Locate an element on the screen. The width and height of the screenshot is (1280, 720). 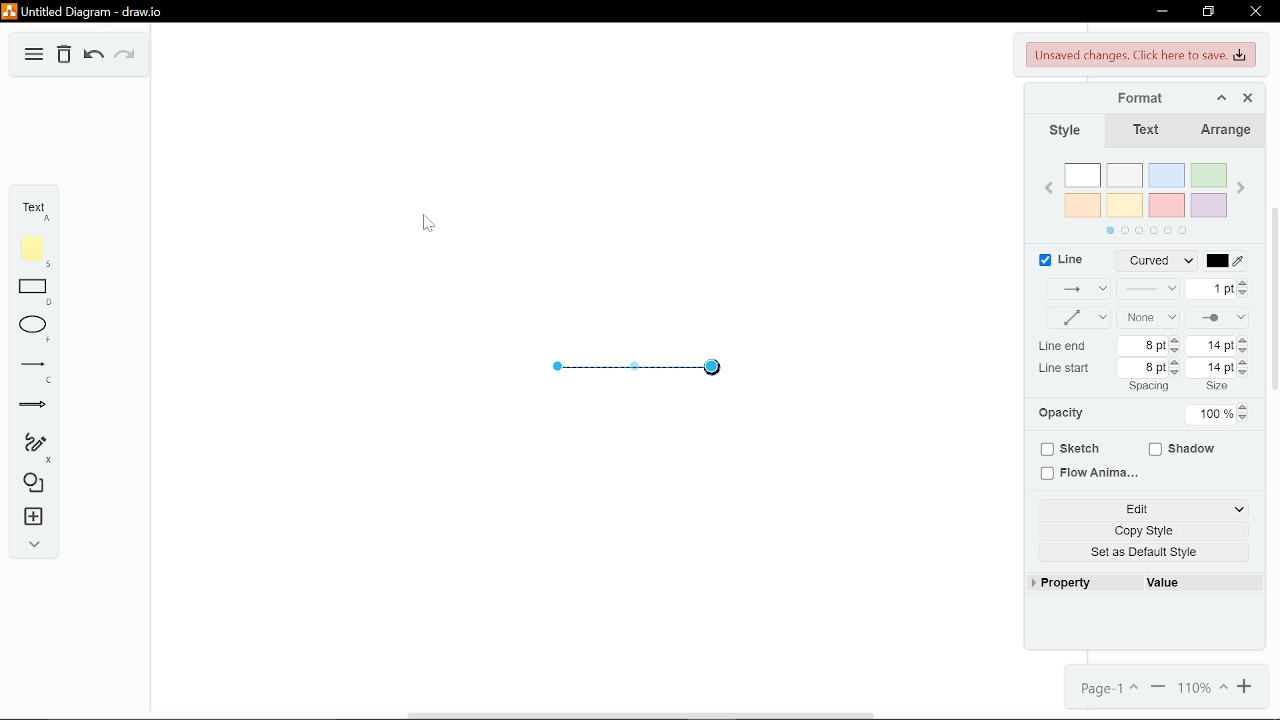
Insert is located at coordinates (32, 518).